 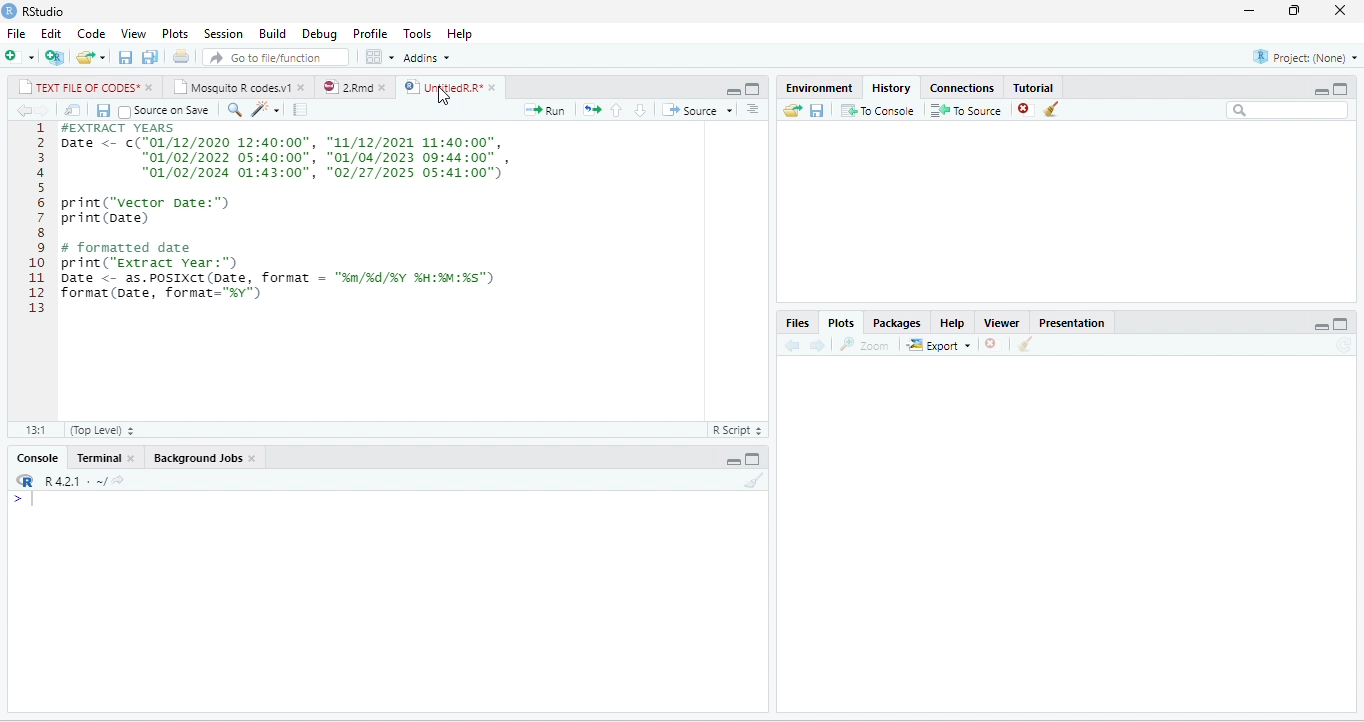 What do you see at coordinates (841, 322) in the screenshot?
I see `Plots` at bounding box center [841, 322].